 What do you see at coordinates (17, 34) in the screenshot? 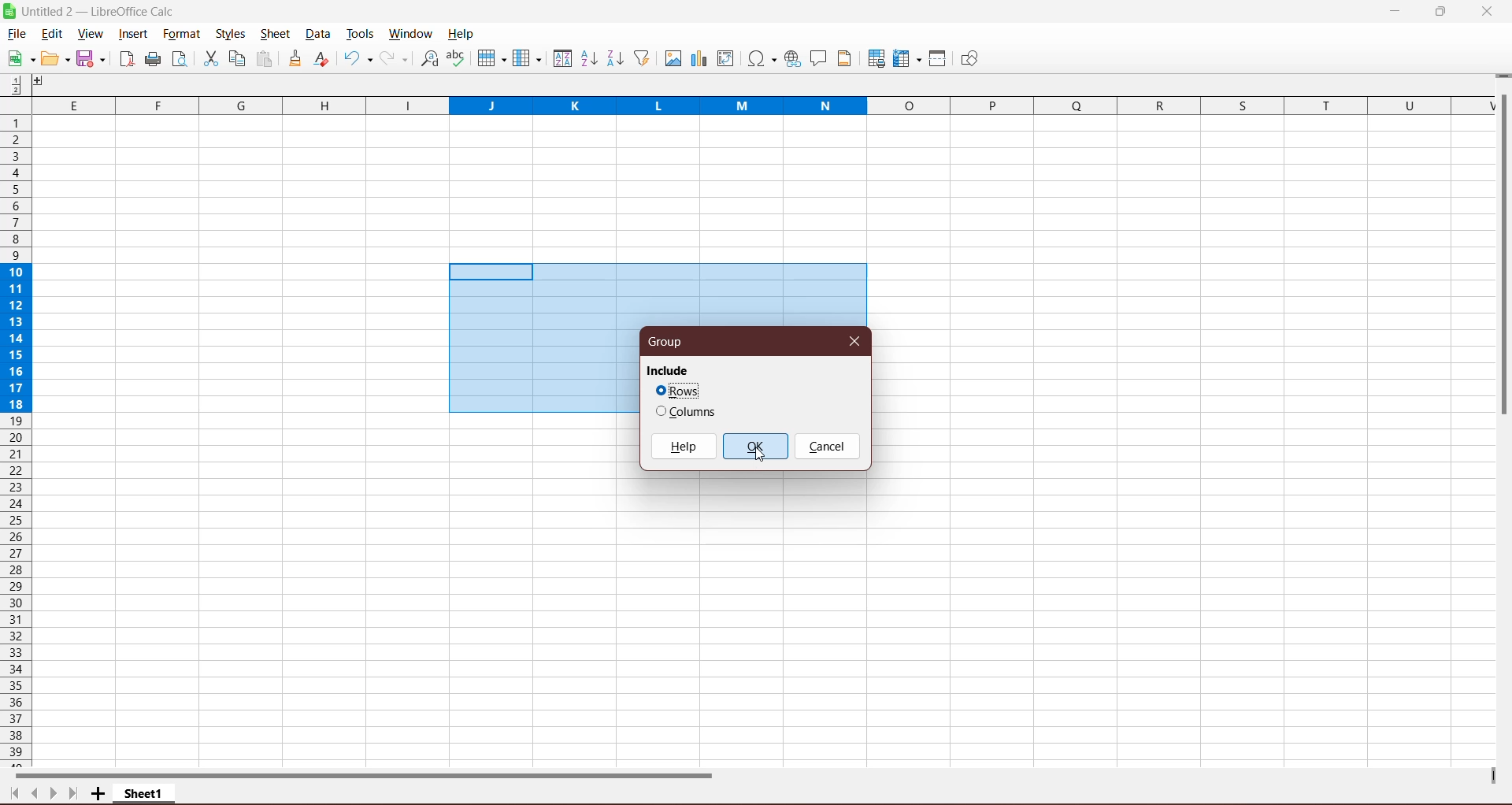
I see `File` at bounding box center [17, 34].